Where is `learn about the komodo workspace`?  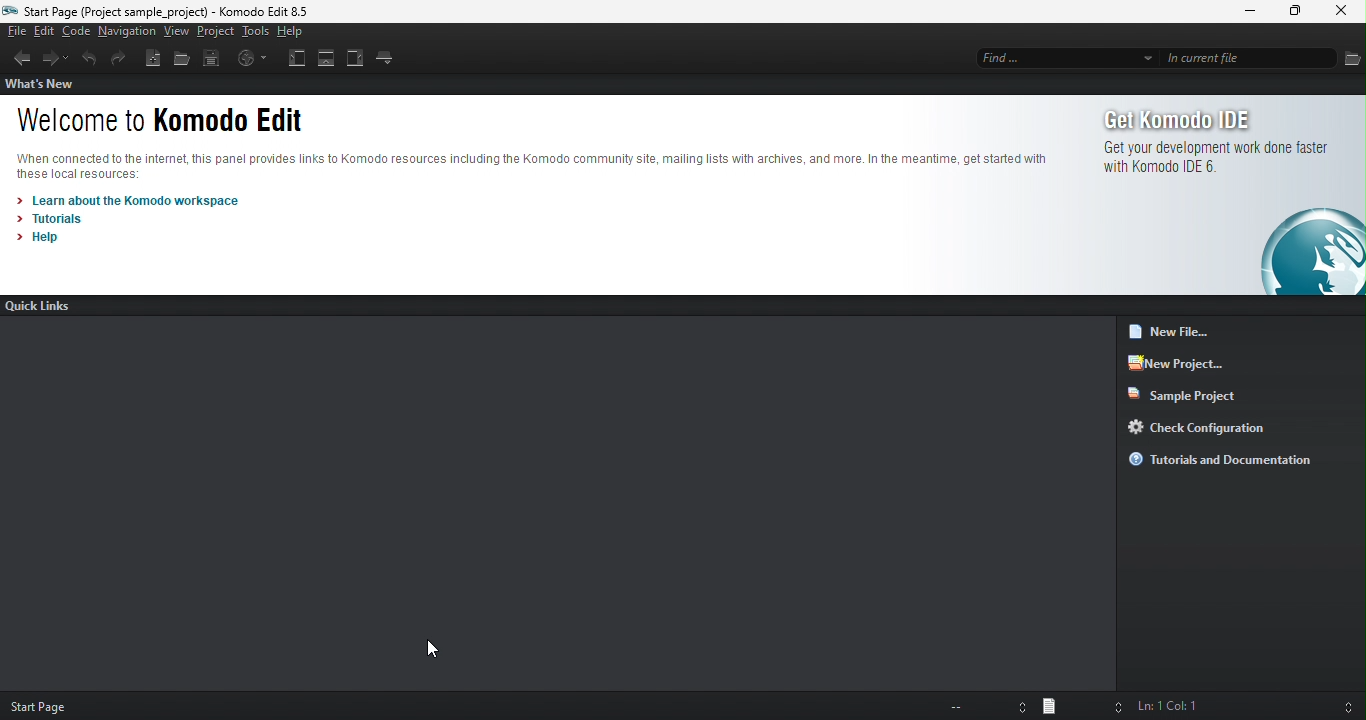
learn about the komodo workspace is located at coordinates (119, 198).